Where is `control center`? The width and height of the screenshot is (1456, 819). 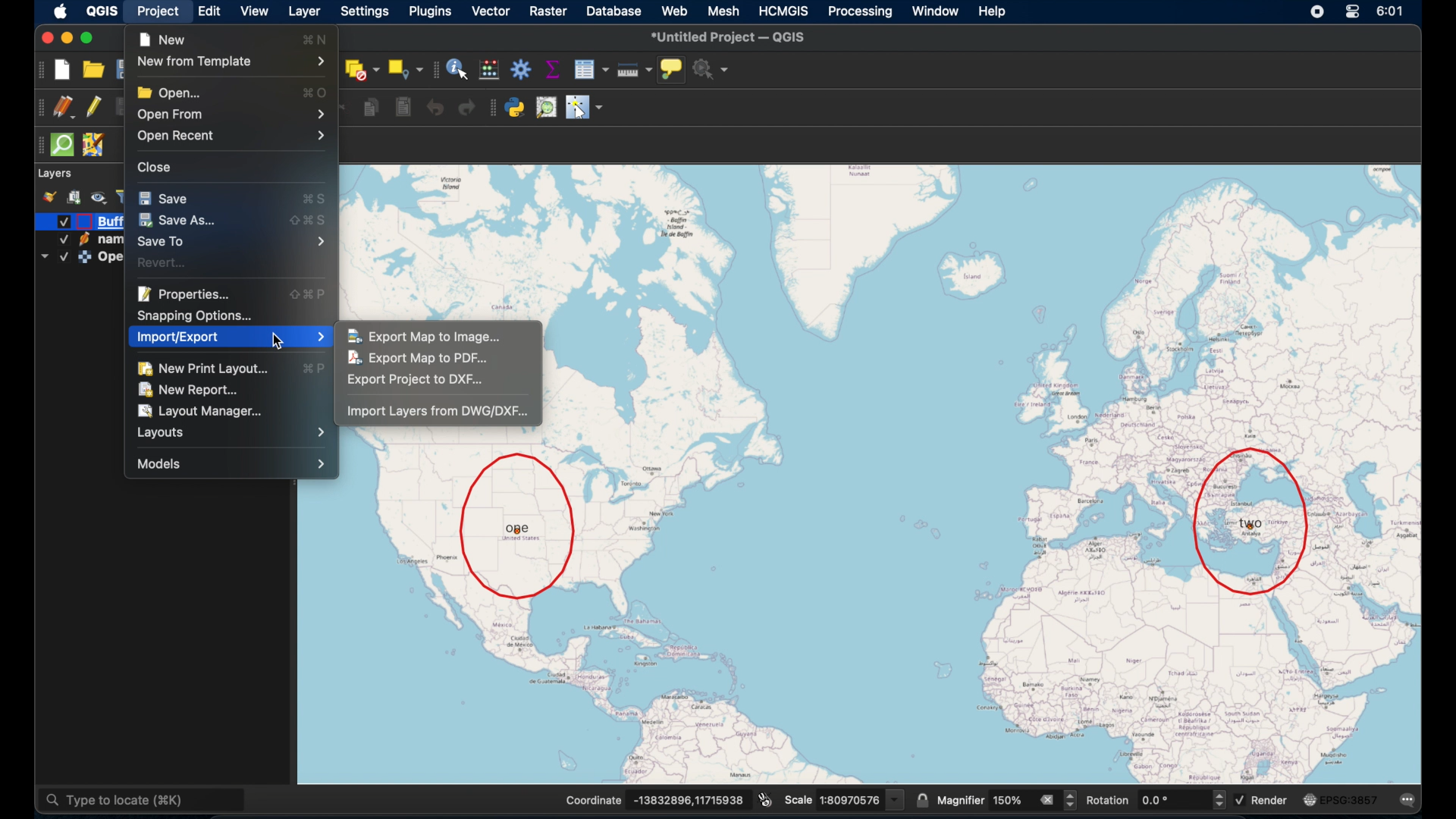 control center is located at coordinates (1353, 11).